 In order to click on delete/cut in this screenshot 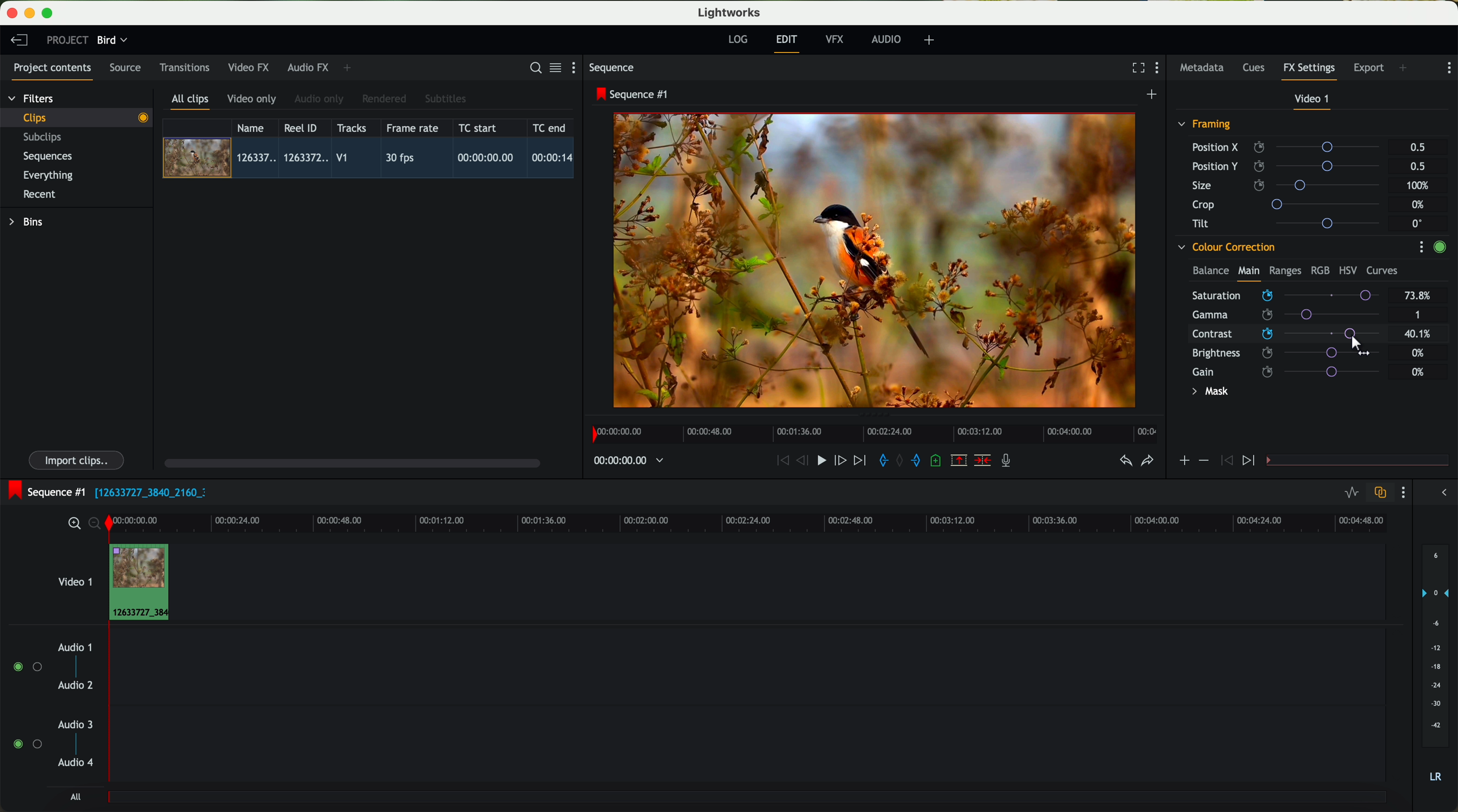, I will do `click(983, 461)`.